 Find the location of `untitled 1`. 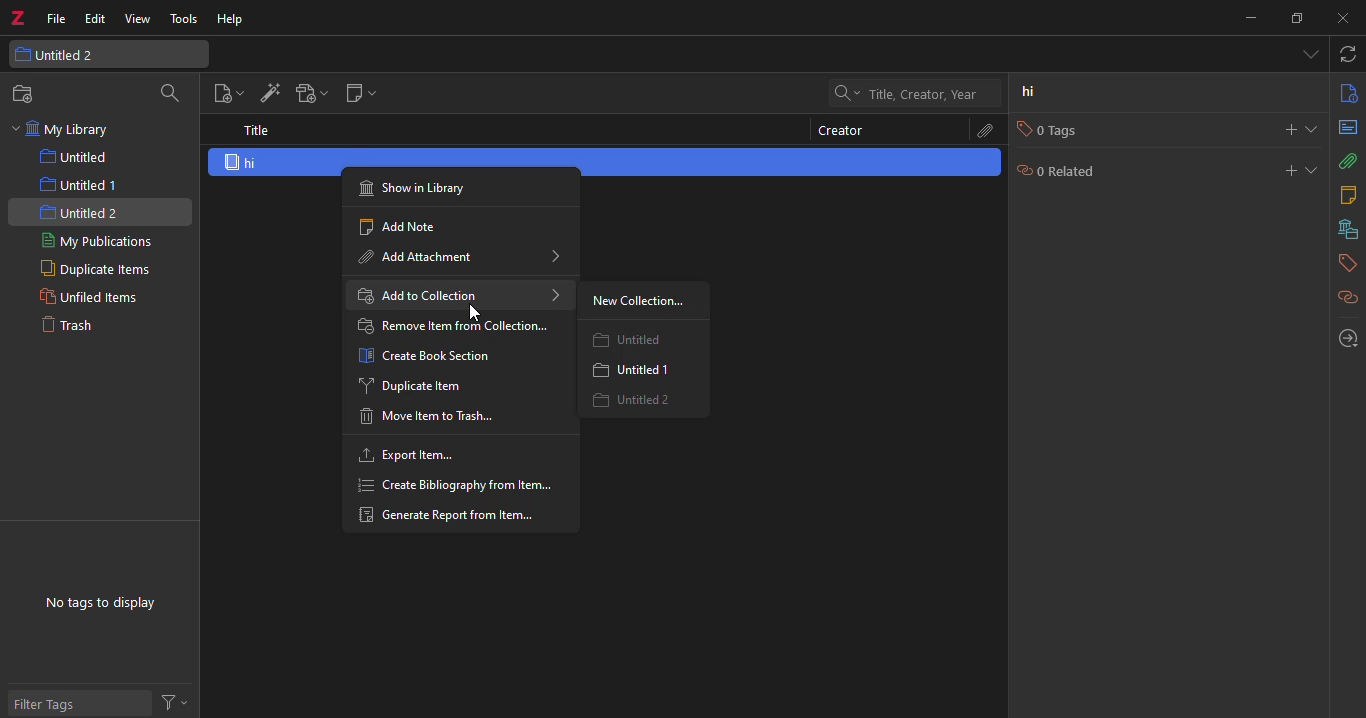

untitled 1 is located at coordinates (638, 369).